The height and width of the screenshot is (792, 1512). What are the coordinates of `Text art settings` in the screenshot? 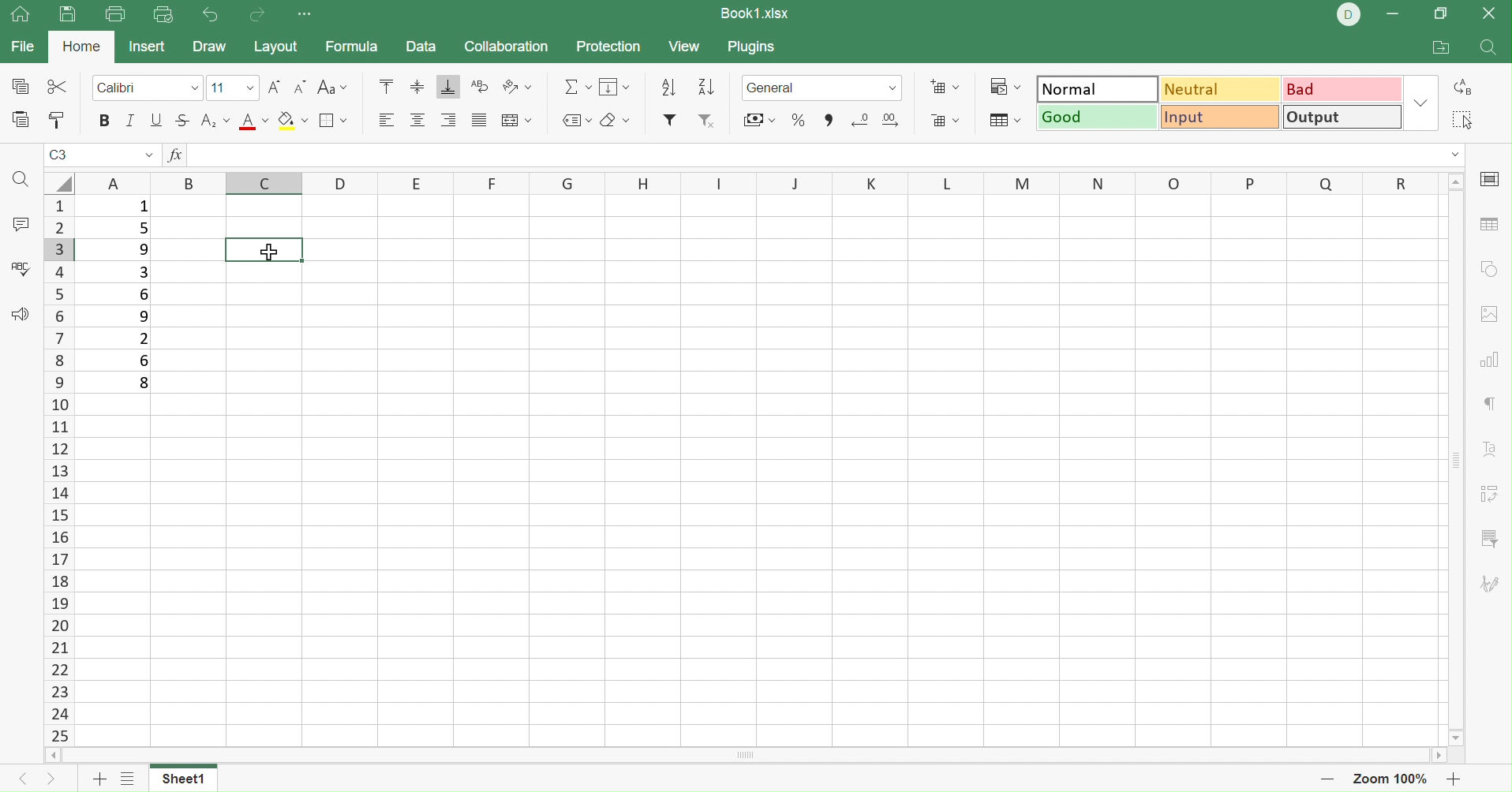 It's located at (1491, 447).